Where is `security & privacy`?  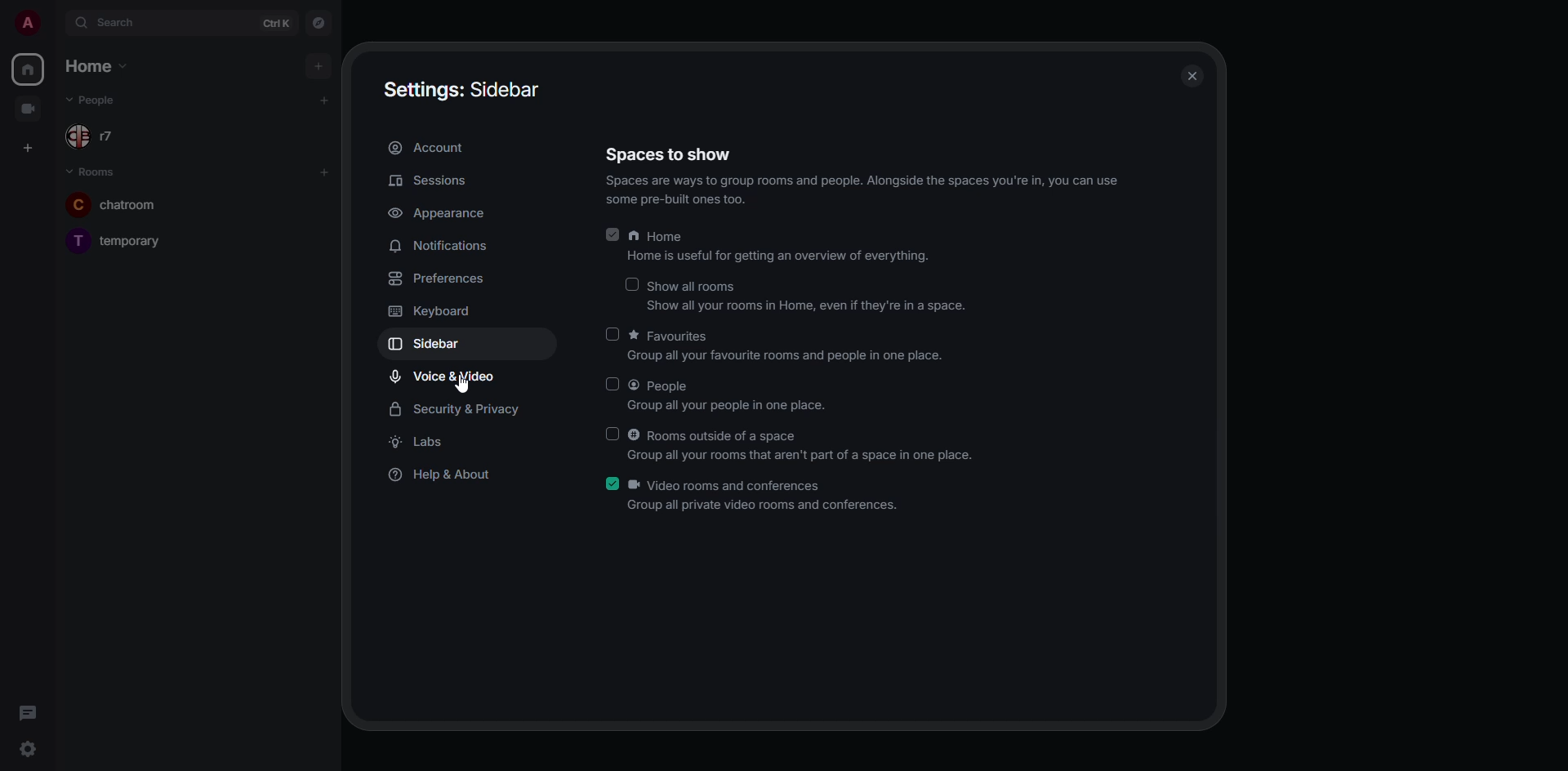 security & privacy is located at coordinates (453, 410).